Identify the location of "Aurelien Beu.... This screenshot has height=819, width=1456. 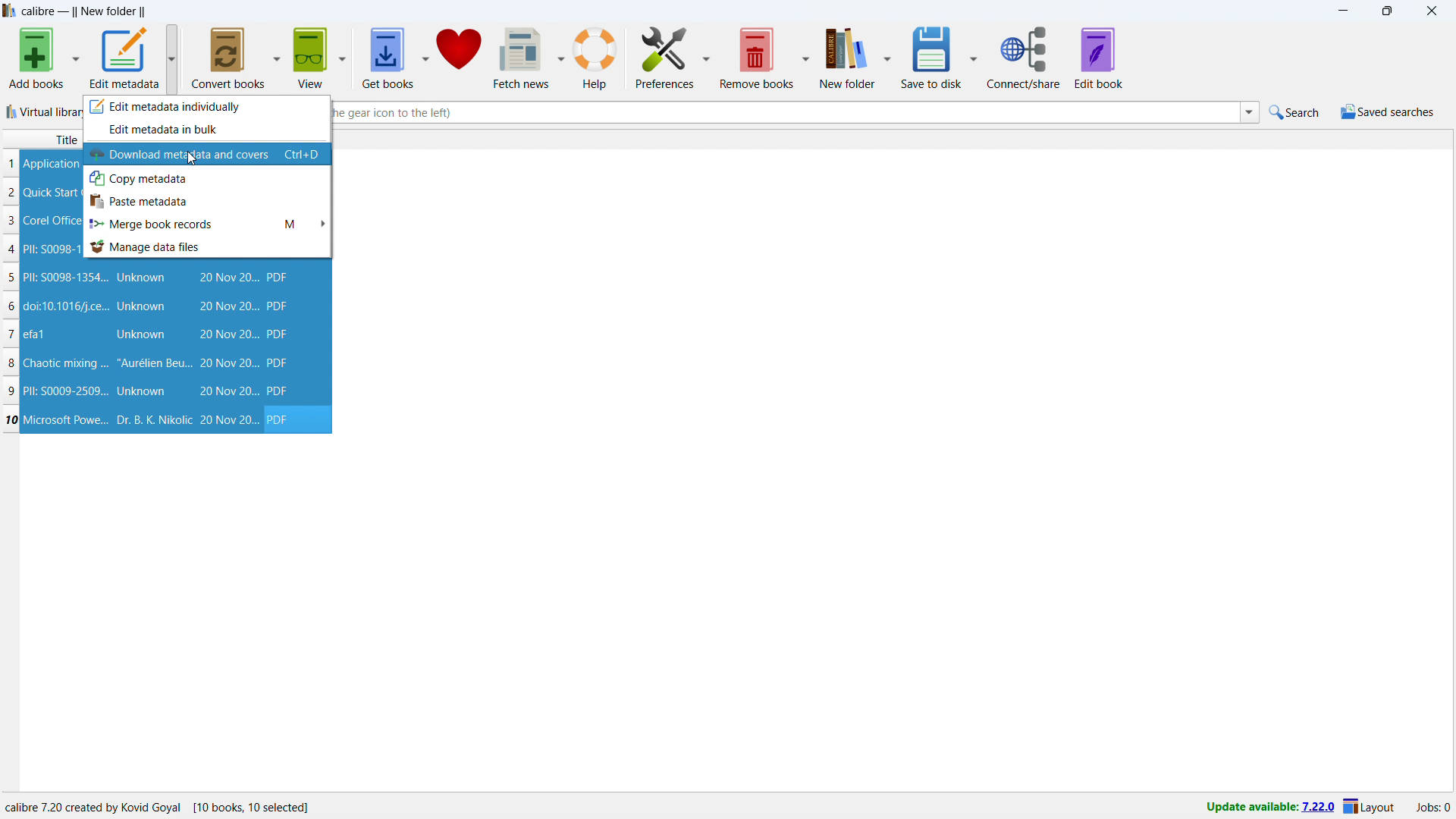
(154, 365).